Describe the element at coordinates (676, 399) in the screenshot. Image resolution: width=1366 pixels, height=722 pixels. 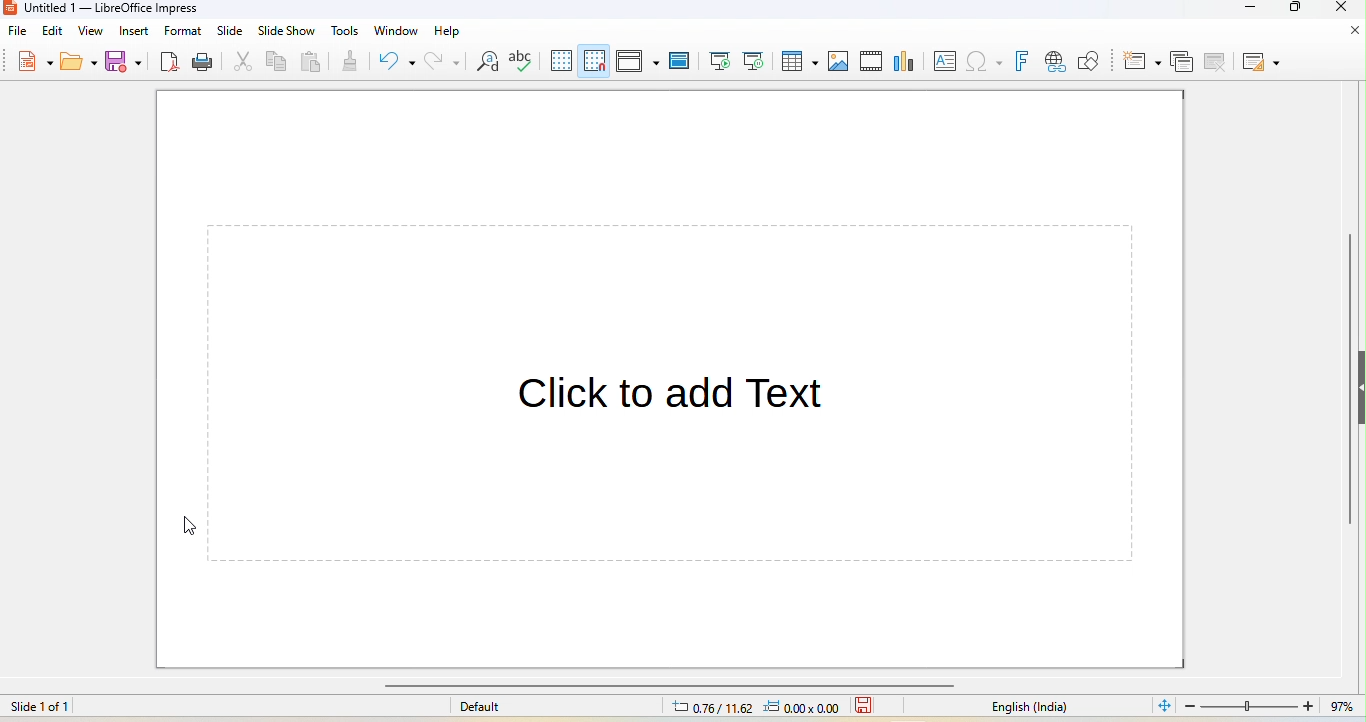
I see `Click to add Text` at that location.